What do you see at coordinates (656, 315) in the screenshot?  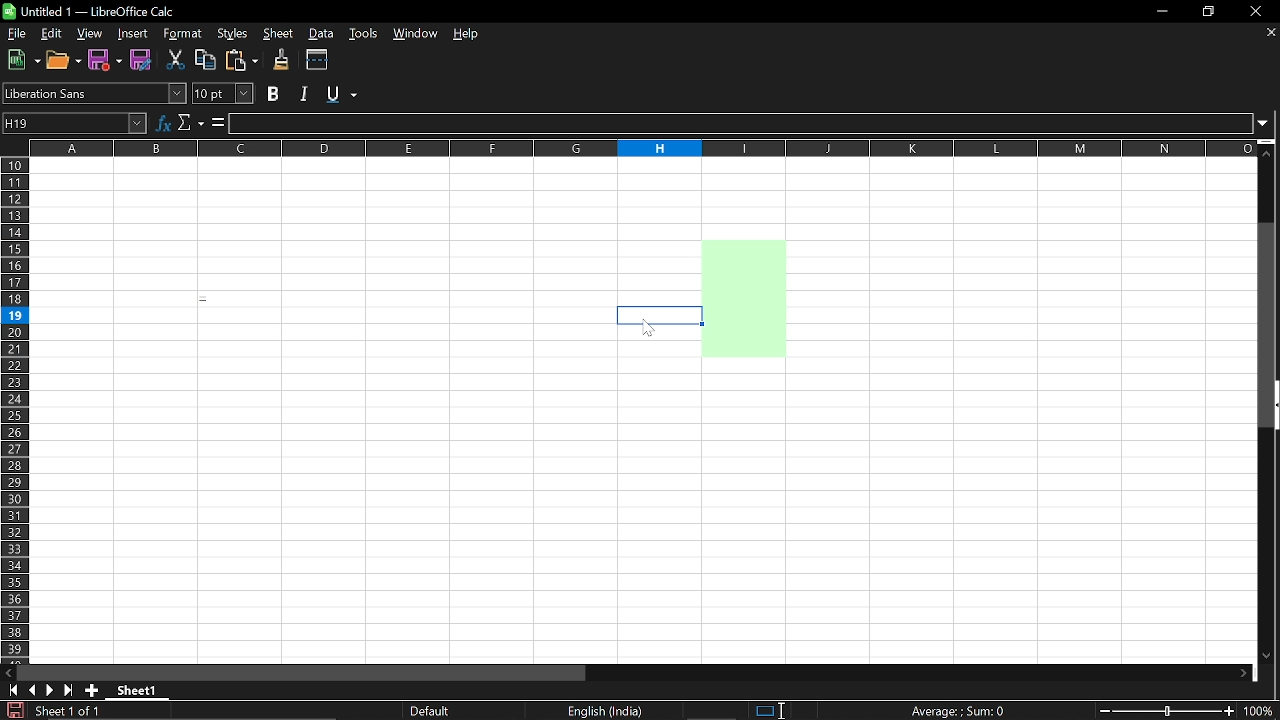 I see `Selected cell` at bounding box center [656, 315].